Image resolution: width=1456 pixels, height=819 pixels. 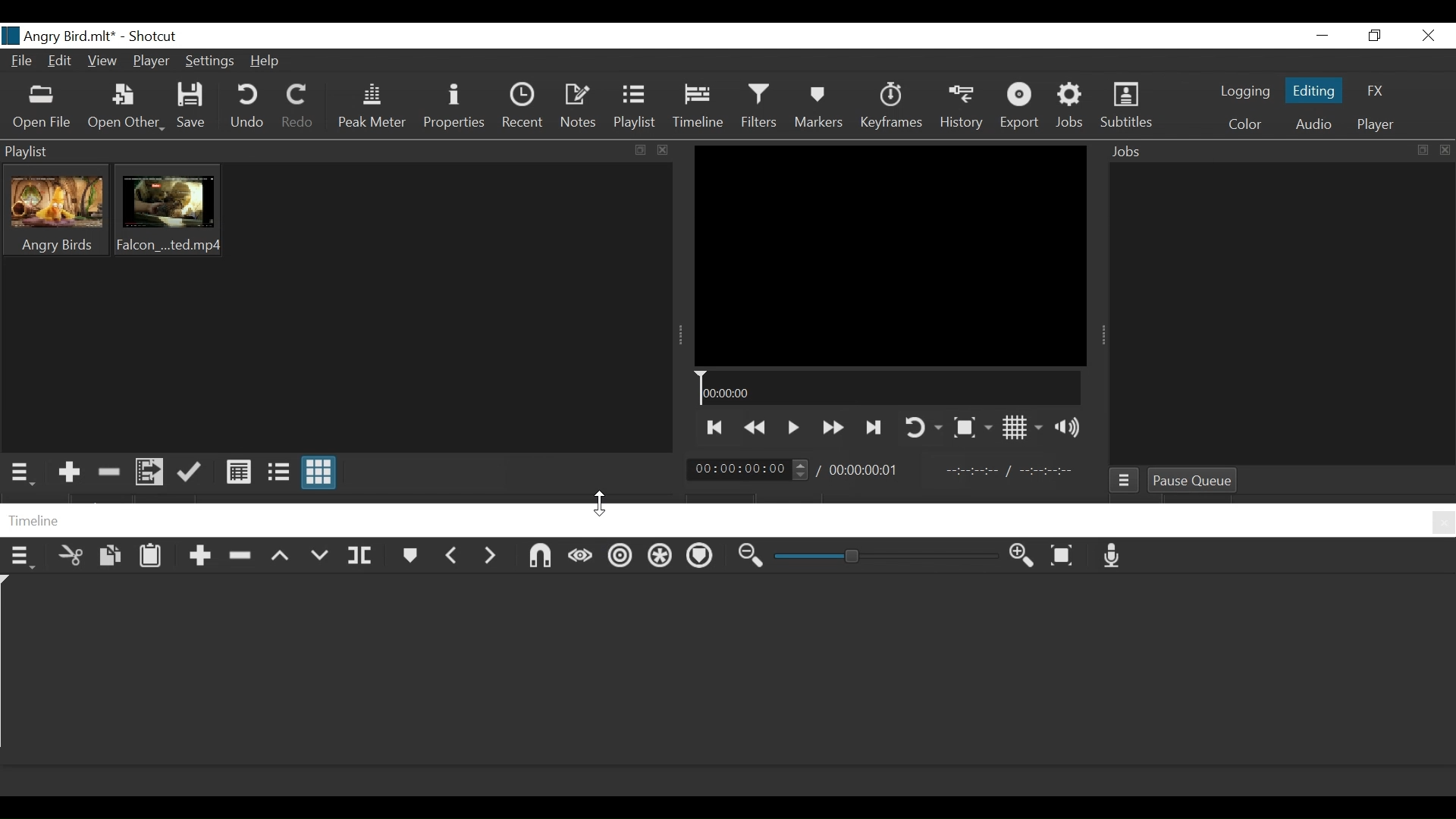 I want to click on Ripple all tracks, so click(x=661, y=558).